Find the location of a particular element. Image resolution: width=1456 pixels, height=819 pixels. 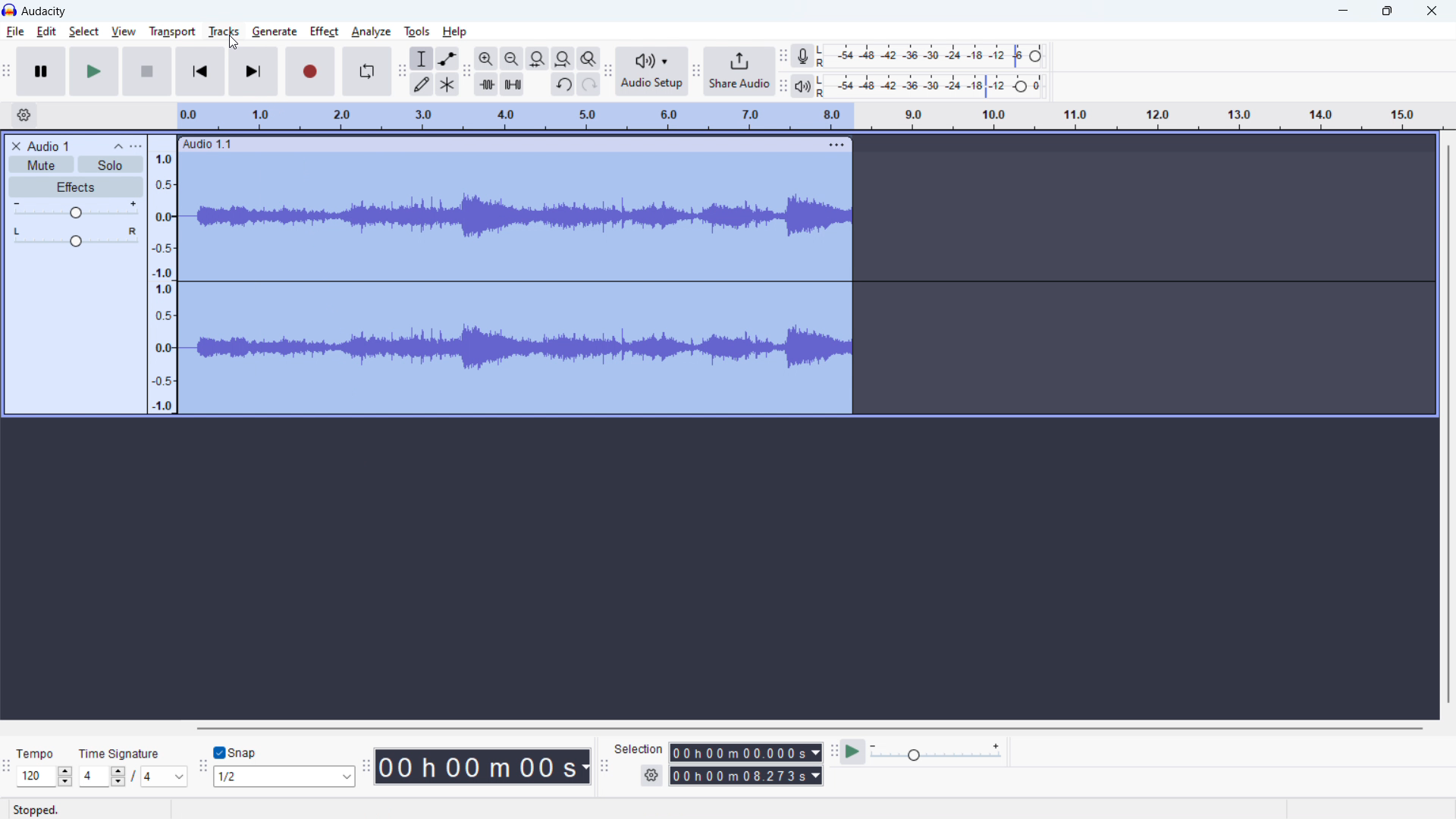

playback speed is located at coordinates (937, 752).